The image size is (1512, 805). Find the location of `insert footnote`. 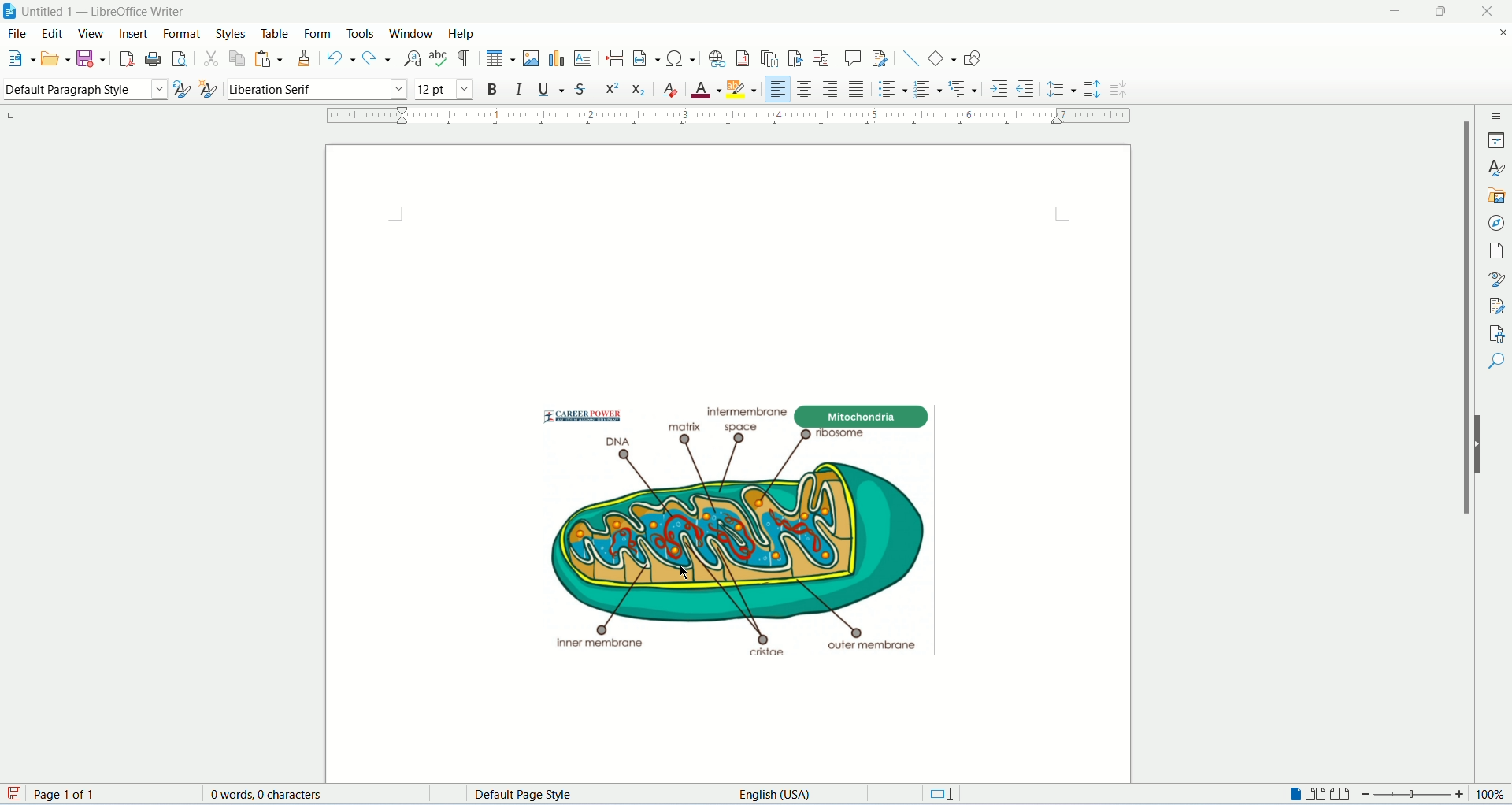

insert footnote is located at coordinates (744, 57).